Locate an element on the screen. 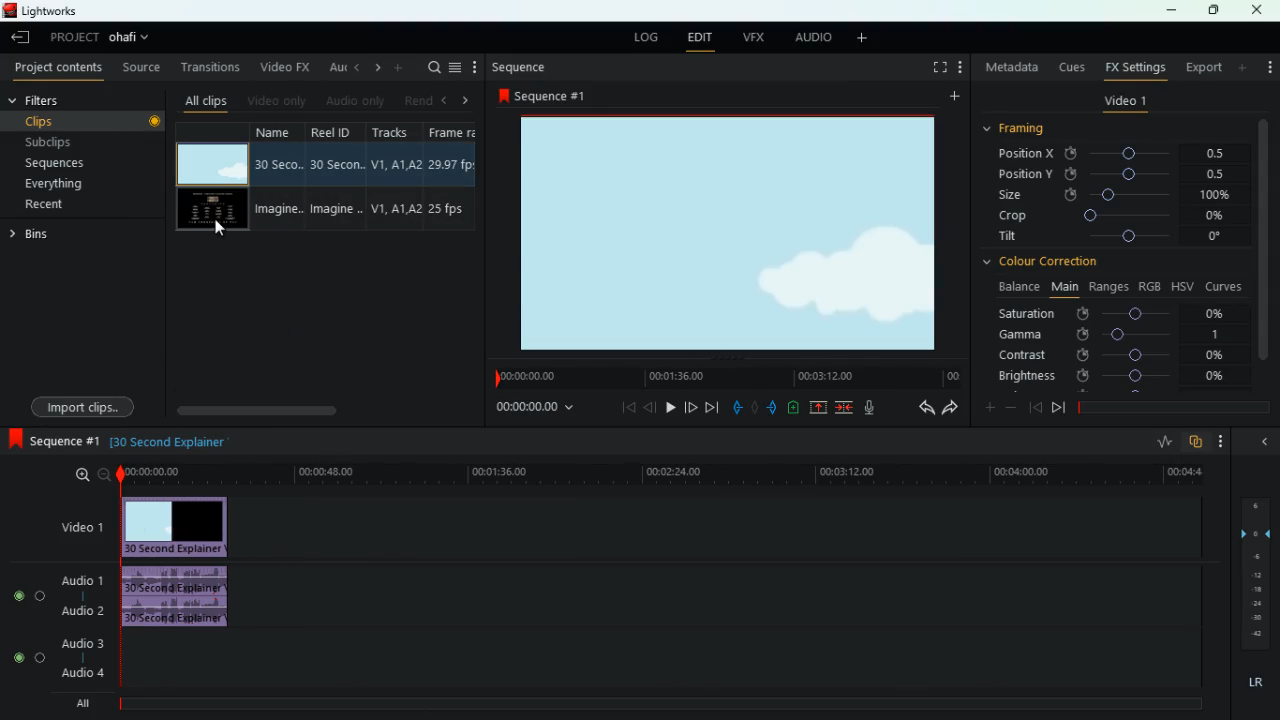 The height and width of the screenshot is (720, 1280). time frame is located at coordinates (1174, 408).